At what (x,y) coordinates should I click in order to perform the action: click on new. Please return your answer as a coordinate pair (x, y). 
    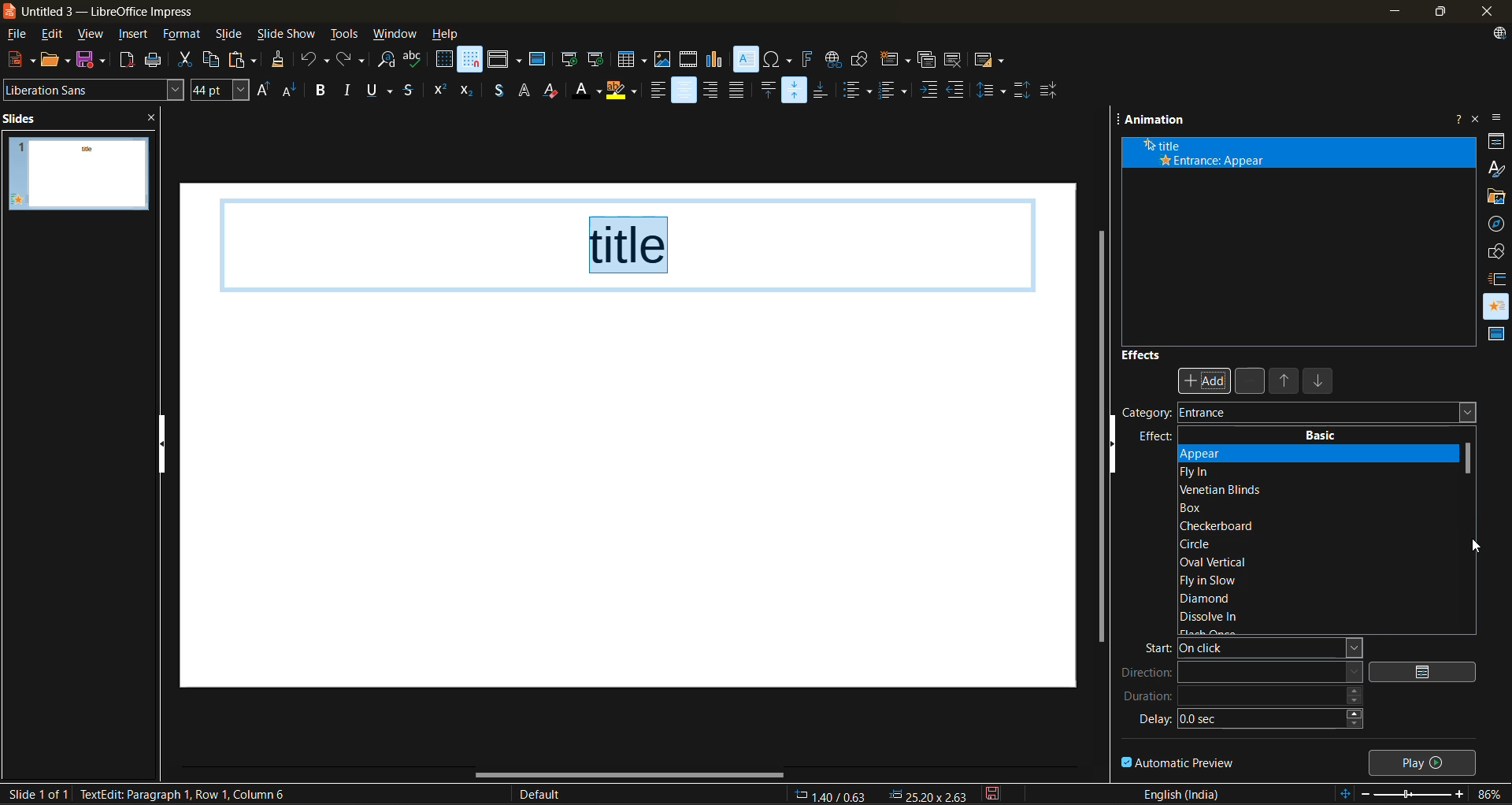
    Looking at the image, I should click on (18, 60).